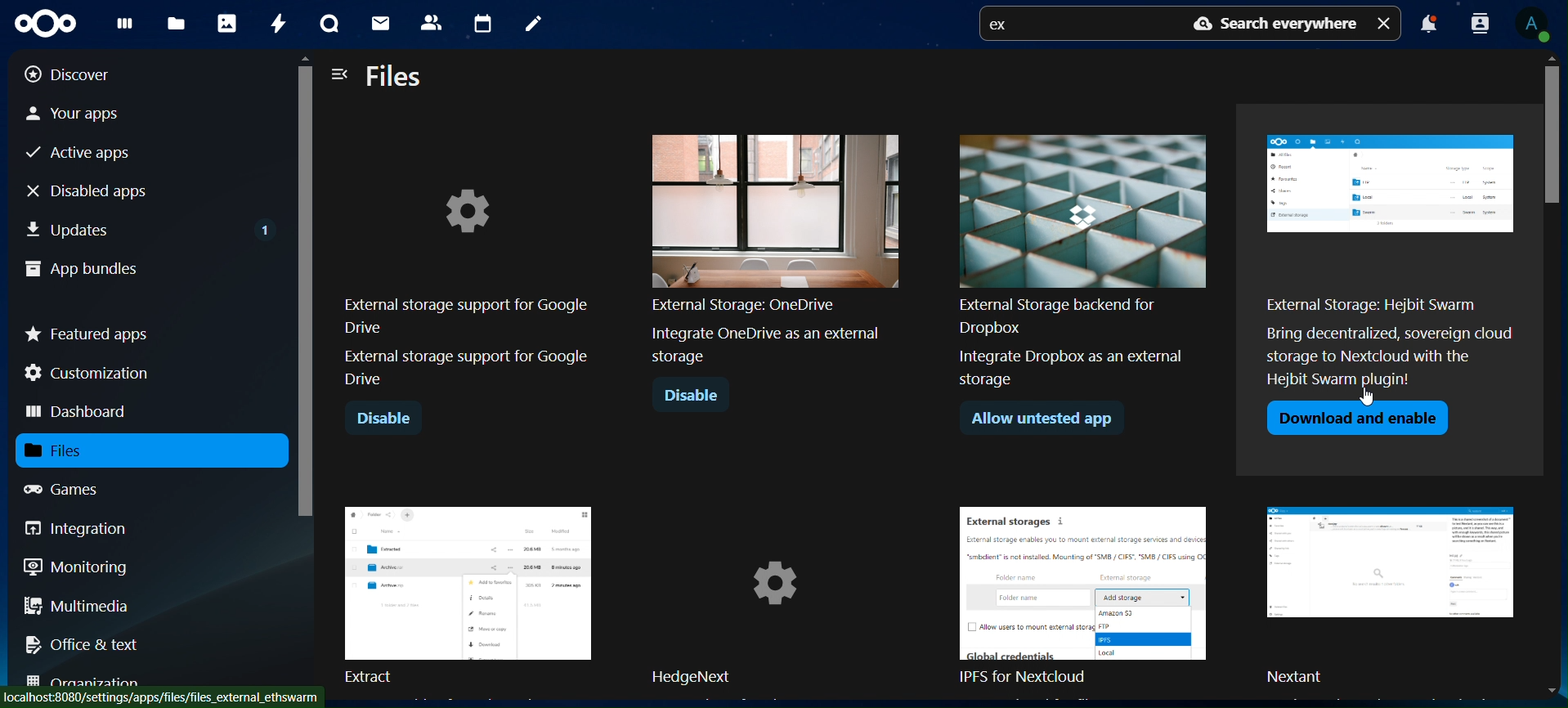 The image size is (1568, 708). What do you see at coordinates (87, 643) in the screenshot?
I see `office & text` at bounding box center [87, 643].